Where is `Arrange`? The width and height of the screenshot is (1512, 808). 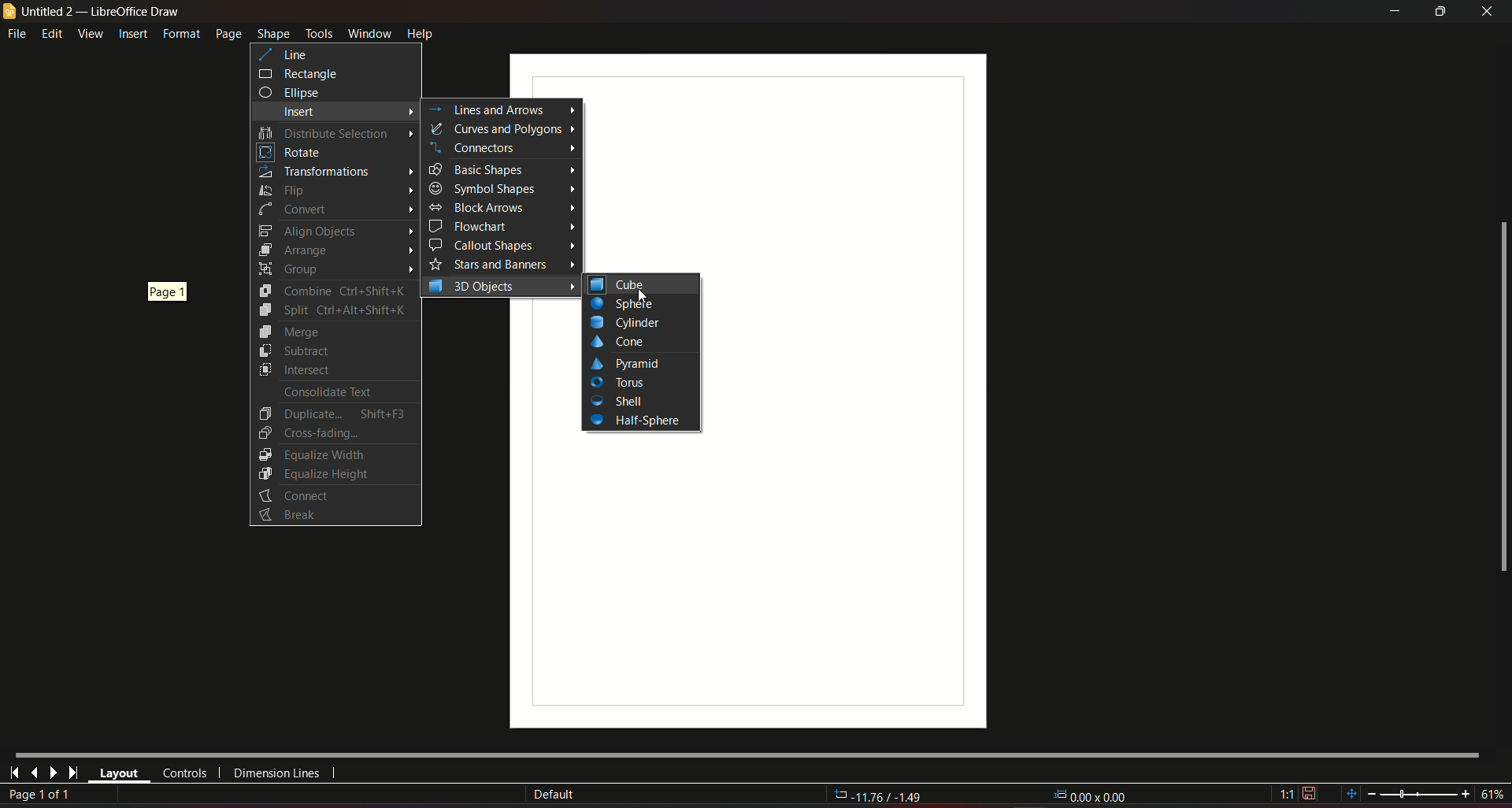
Arrange is located at coordinates (298, 250).